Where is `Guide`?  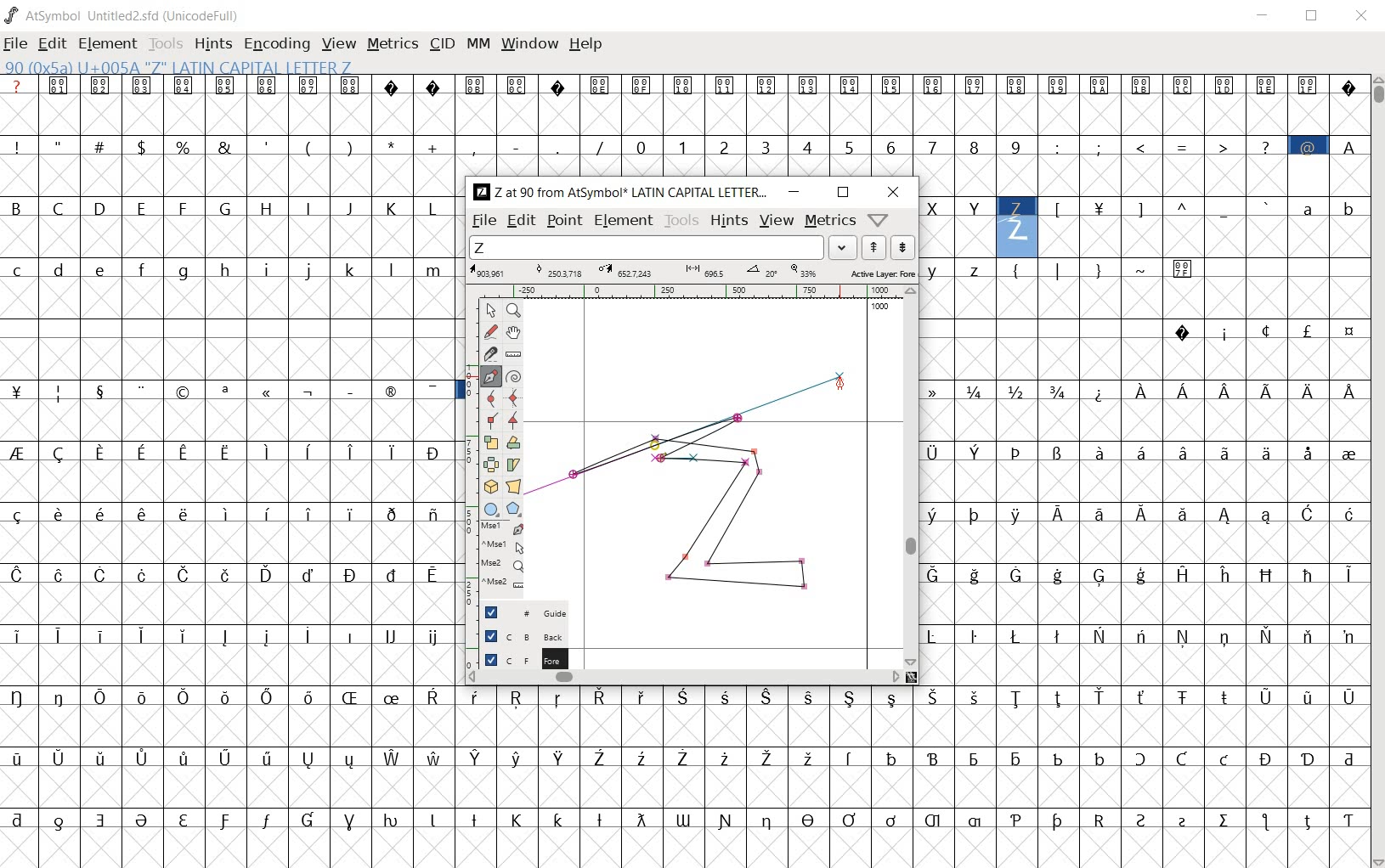 Guide is located at coordinates (517, 612).